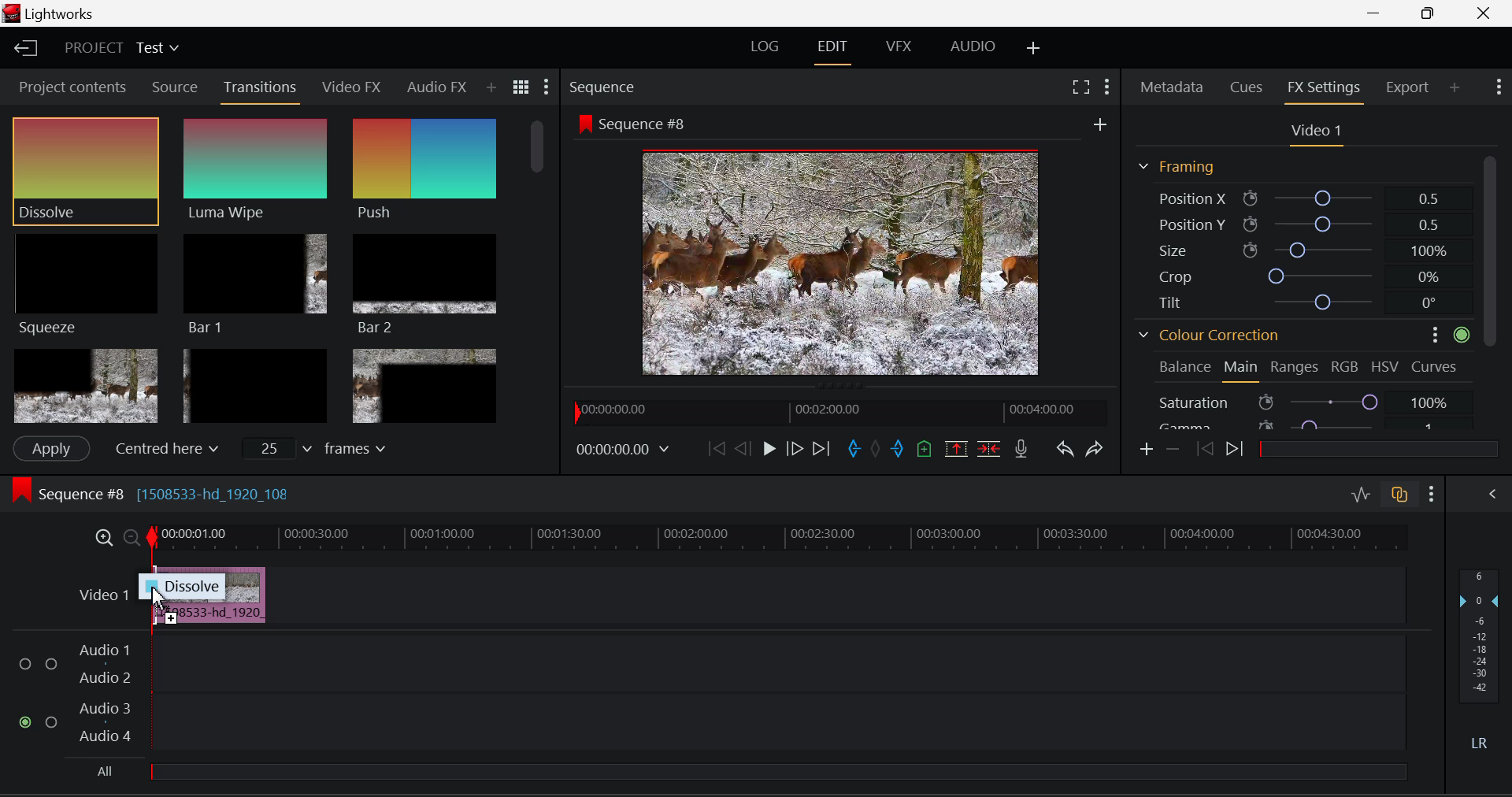  I want to click on Show Audio Mix, so click(1492, 494).